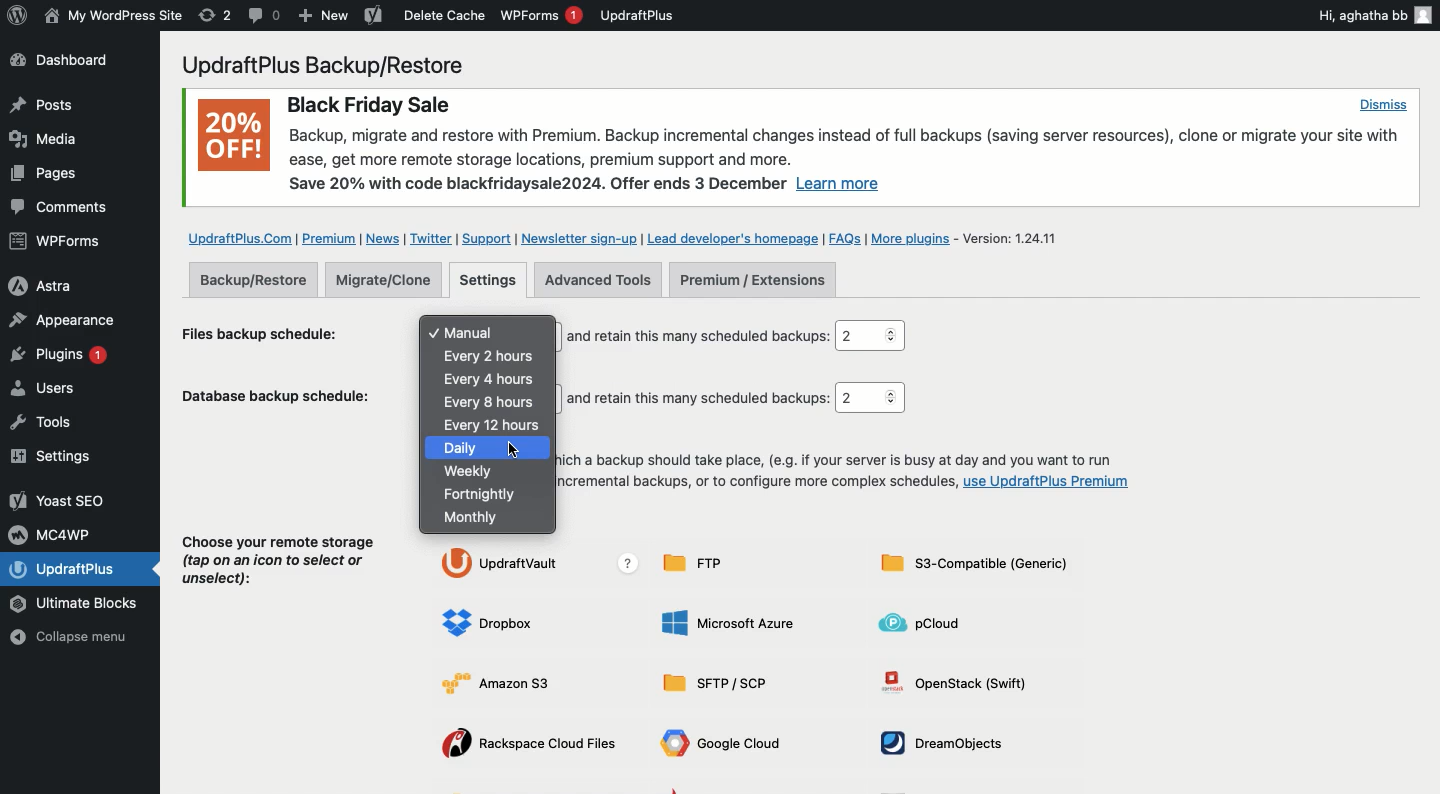 The height and width of the screenshot is (794, 1440). I want to click on Settings, so click(490, 281).